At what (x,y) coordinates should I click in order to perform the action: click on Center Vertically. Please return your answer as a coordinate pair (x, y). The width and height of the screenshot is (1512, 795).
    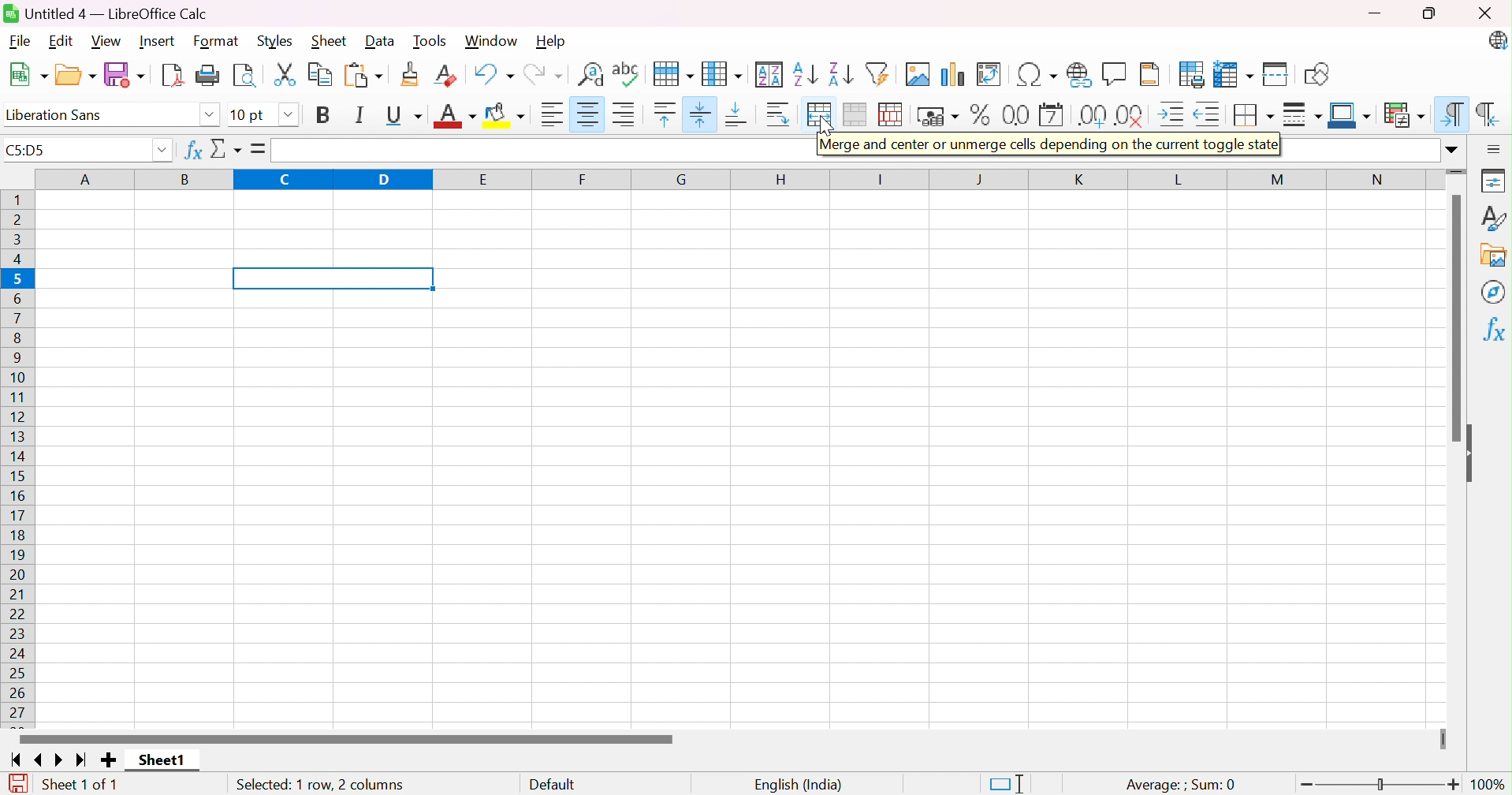
    Looking at the image, I should click on (702, 114).